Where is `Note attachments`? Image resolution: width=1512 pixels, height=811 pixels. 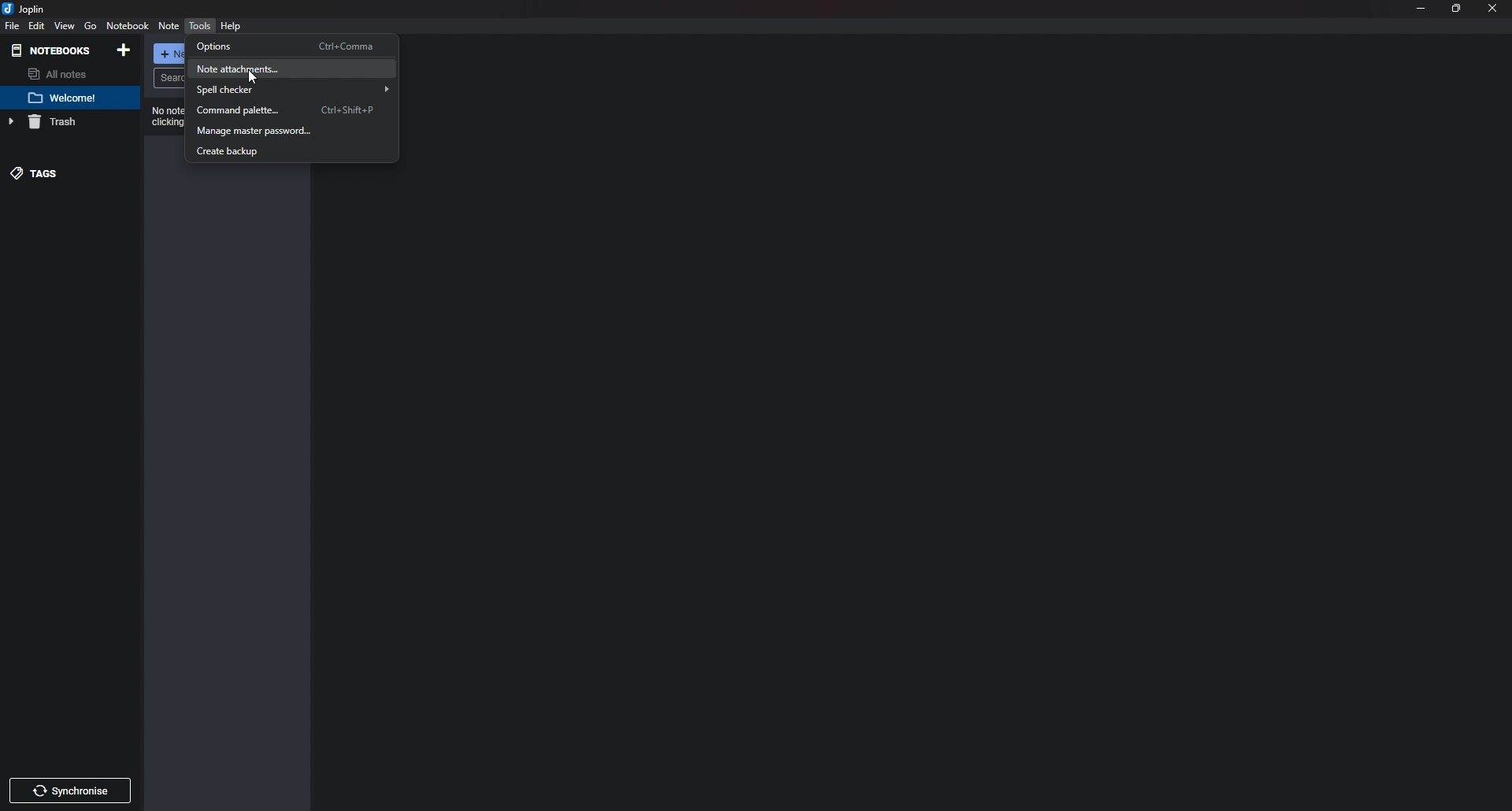 Note attachments is located at coordinates (292, 67).